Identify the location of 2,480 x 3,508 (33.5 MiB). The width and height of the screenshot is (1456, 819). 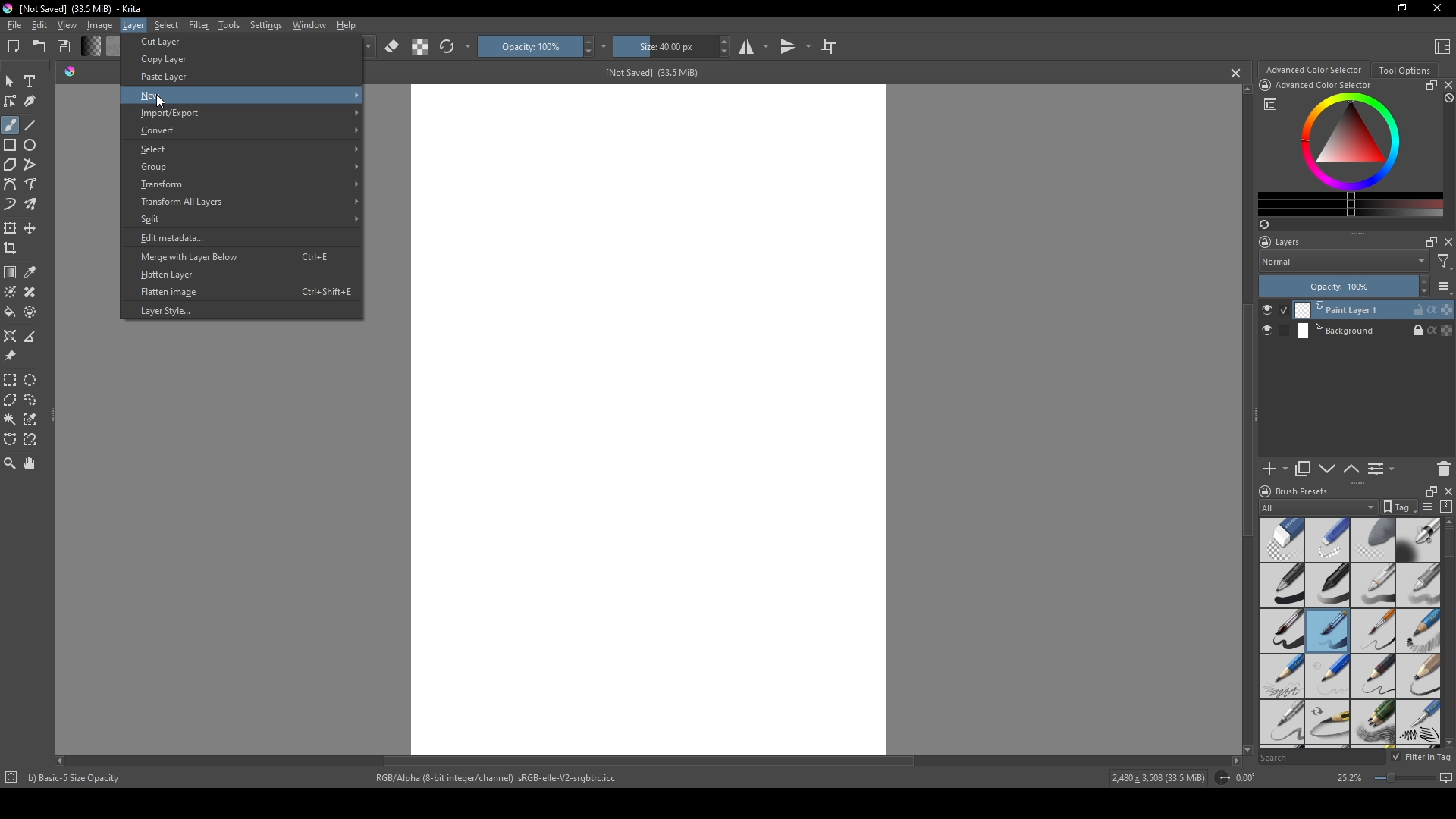
(1156, 780).